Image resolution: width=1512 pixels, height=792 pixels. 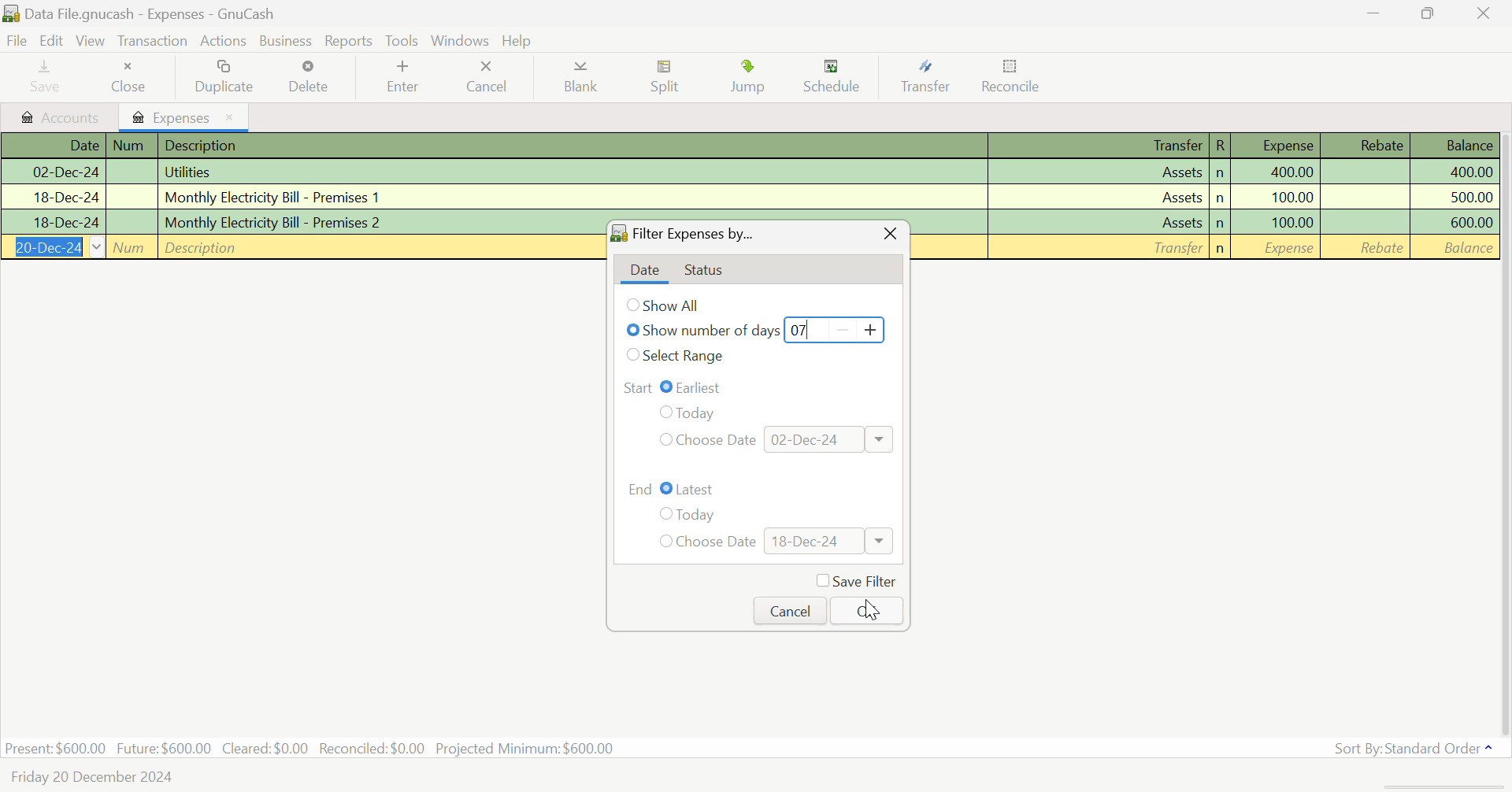 I want to click on Filter Expenses by..., so click(x=695, y=234).